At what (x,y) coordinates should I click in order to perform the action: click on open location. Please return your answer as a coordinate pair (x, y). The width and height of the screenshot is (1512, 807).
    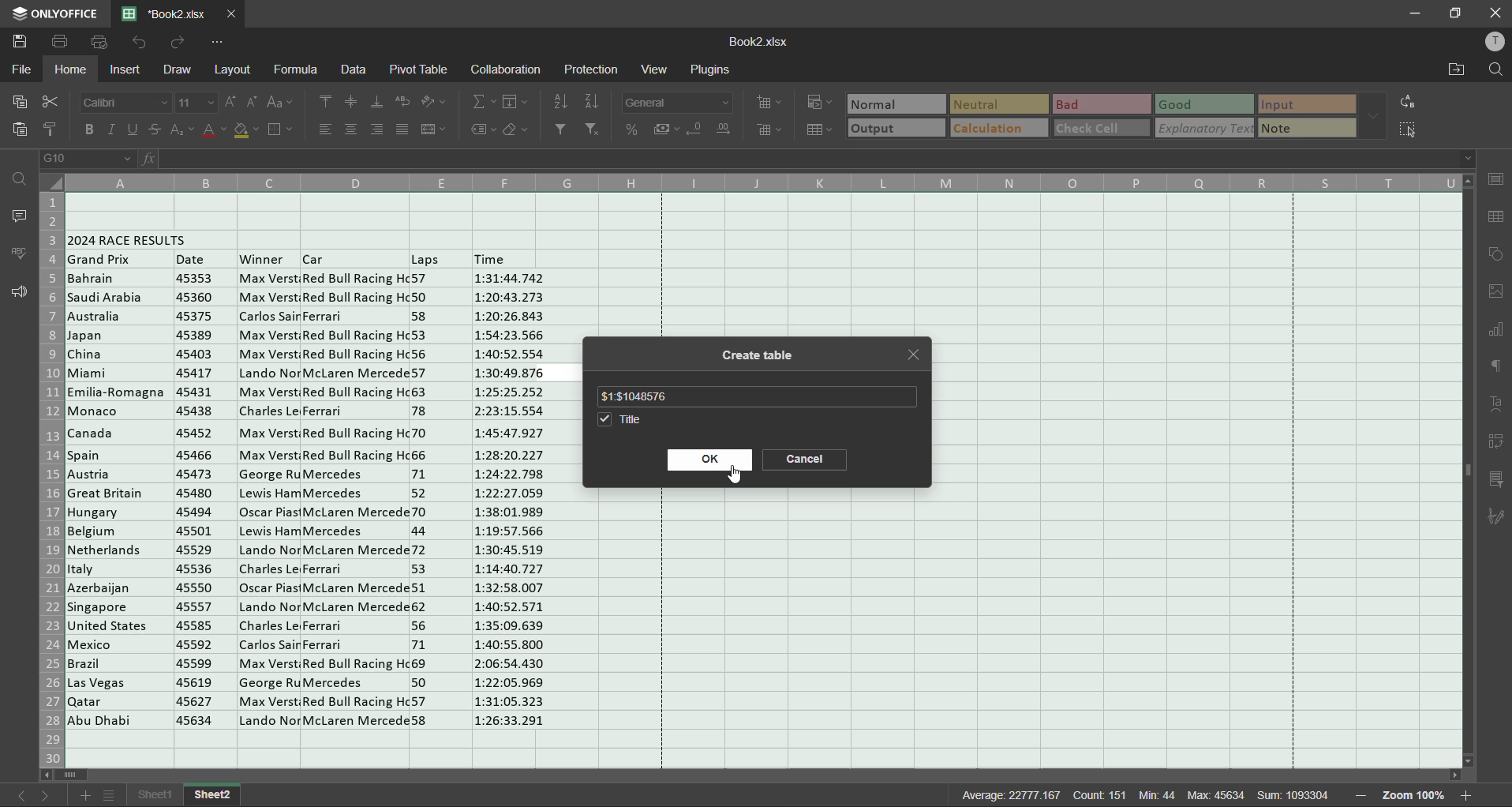
    Looking at the image, I should click on (1460, 73).